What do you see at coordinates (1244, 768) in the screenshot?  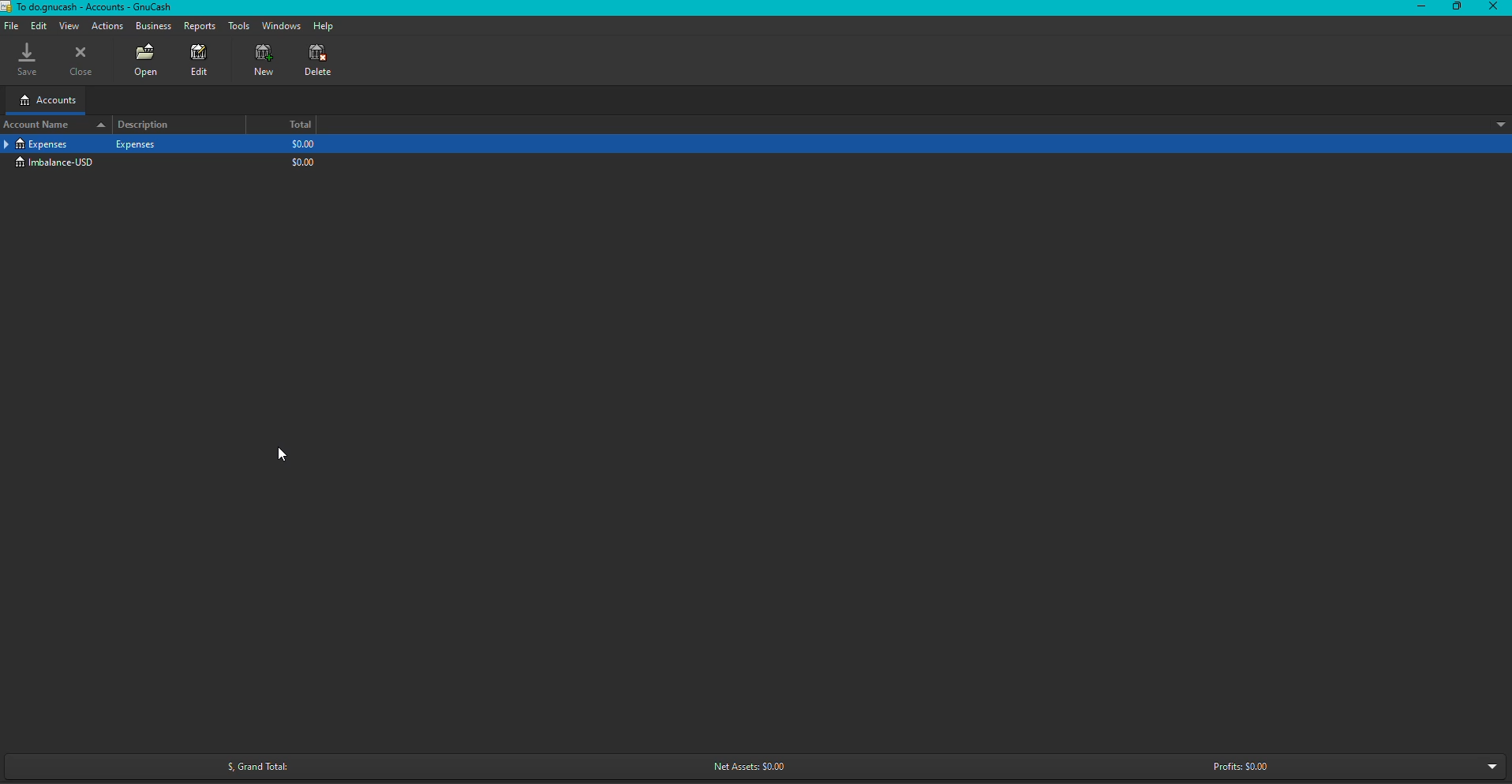 I see `Profits` at bounding box center [1244, 768].